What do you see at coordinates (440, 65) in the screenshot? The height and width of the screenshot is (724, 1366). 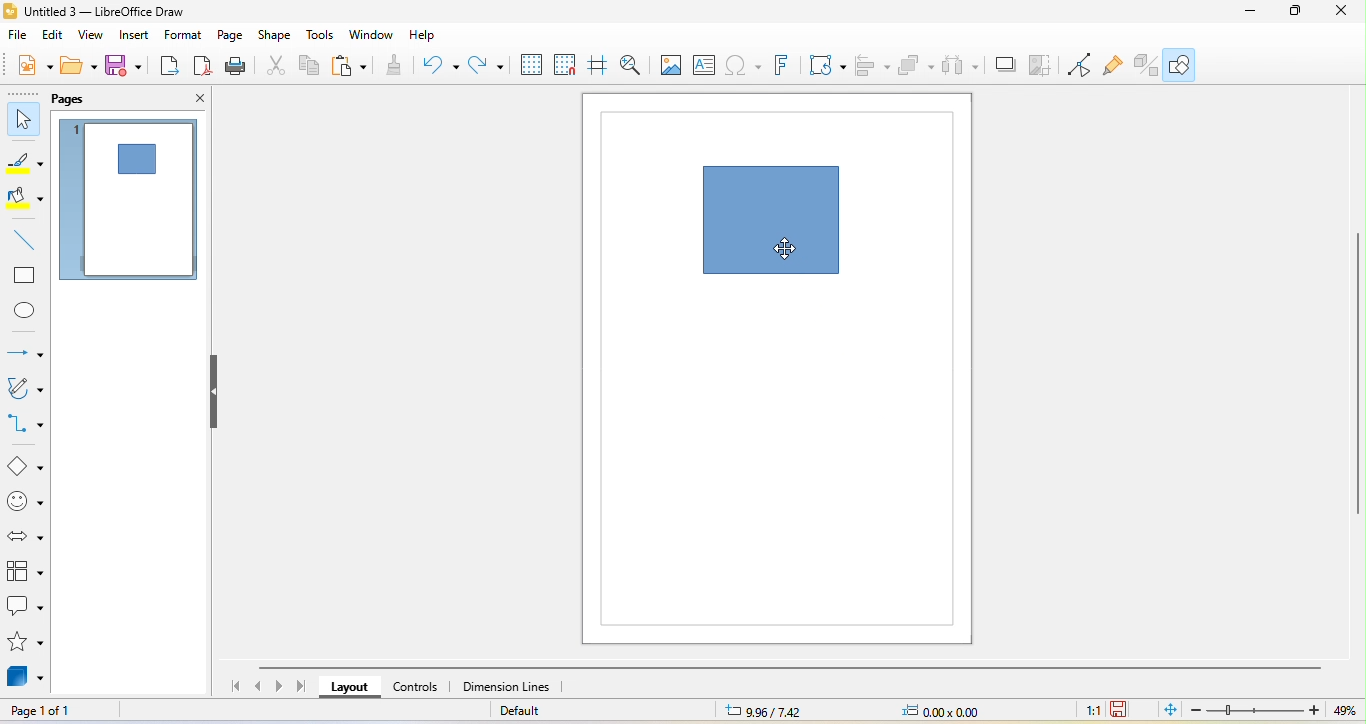 I see `undo` at bounding box center [440, 65].